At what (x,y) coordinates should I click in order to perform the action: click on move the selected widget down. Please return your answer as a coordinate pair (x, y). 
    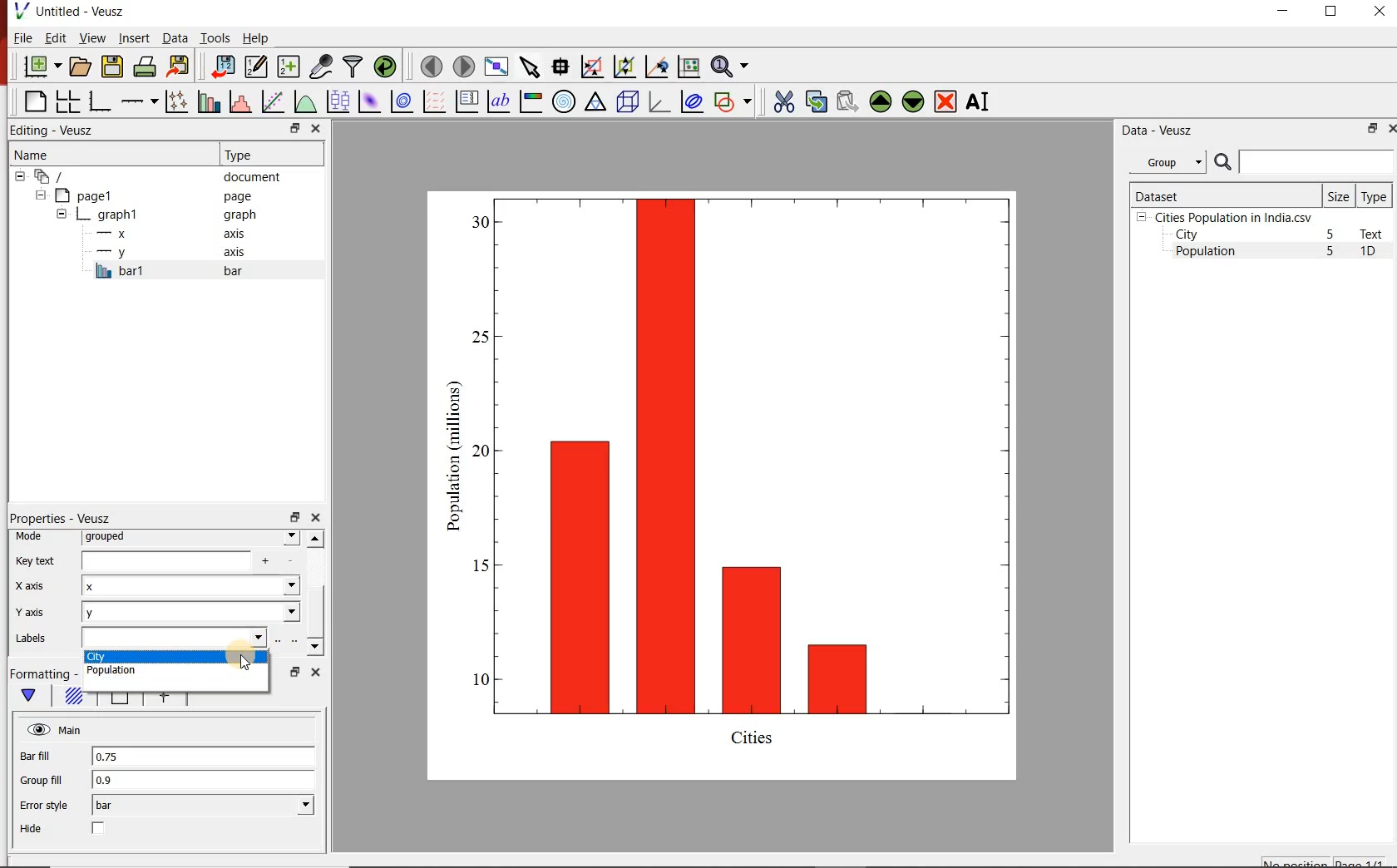
    Looking at the image, I should click on (913, 101).